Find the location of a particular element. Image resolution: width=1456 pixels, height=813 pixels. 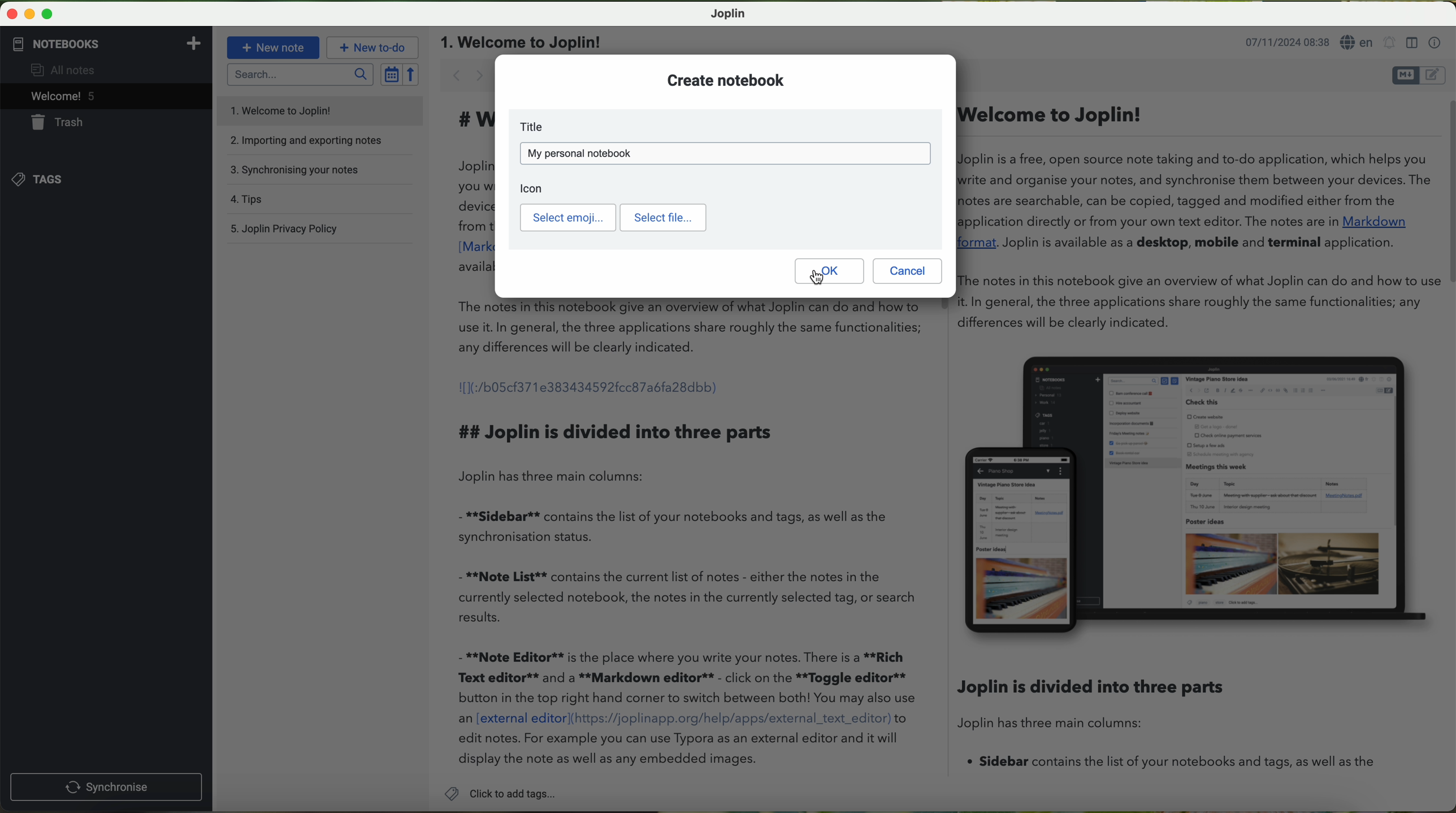

search bar is located at coordinates (300, 75).